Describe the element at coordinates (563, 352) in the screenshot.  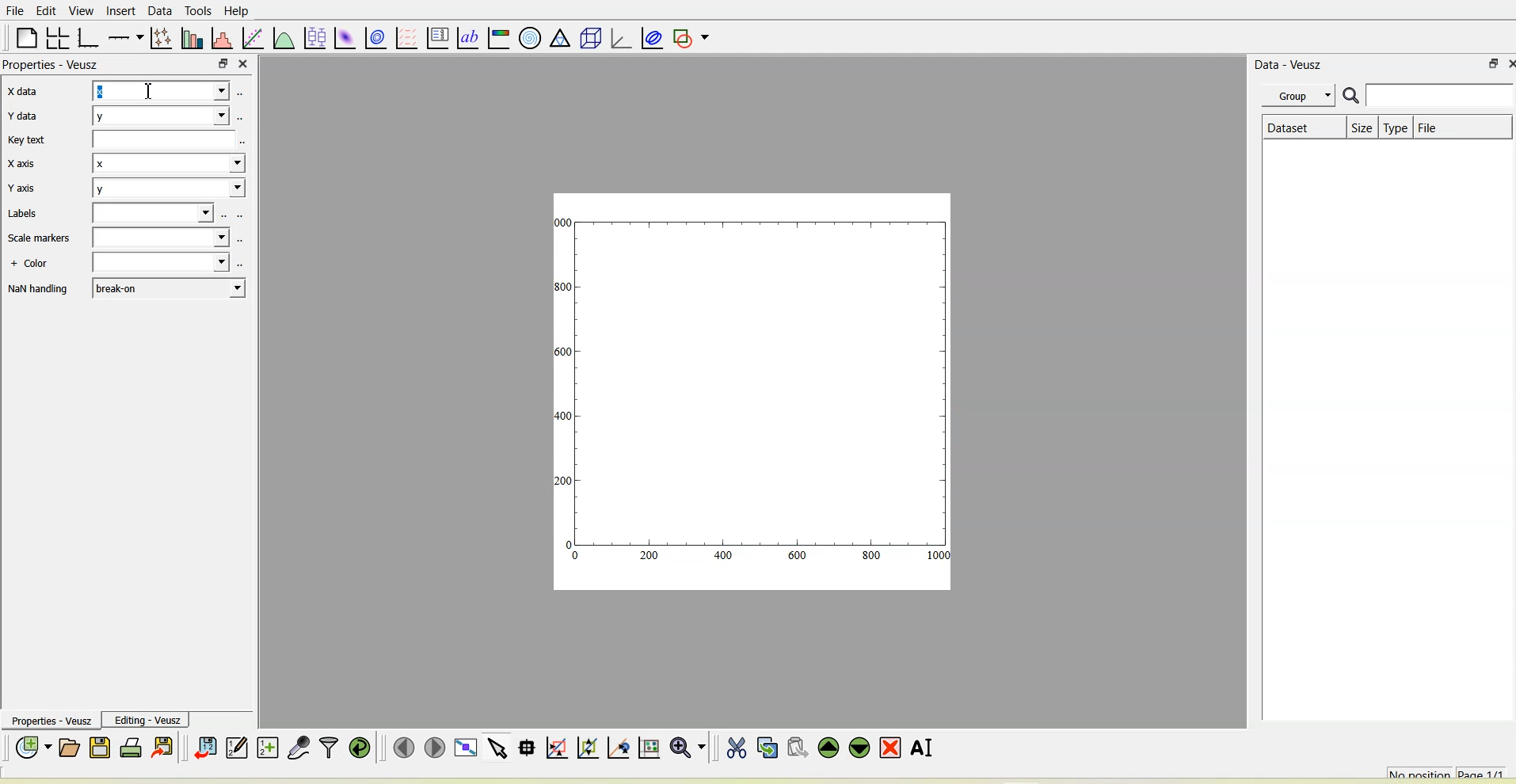
I see `1600!` at that location.